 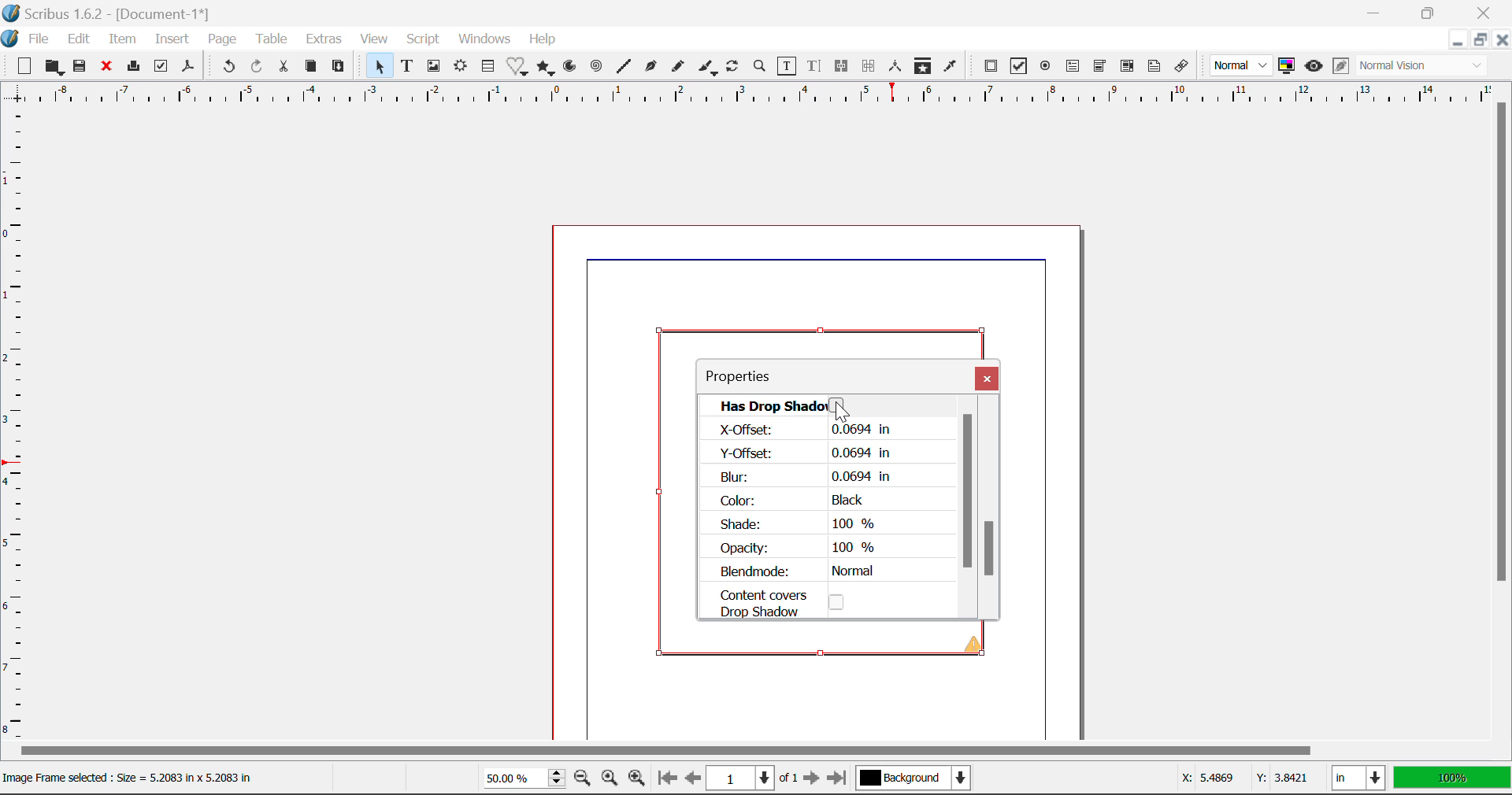 What do you see at coordinates (680, 70) in the screenshot?
I see `Freehand Line` at bounding box center [680, 70].